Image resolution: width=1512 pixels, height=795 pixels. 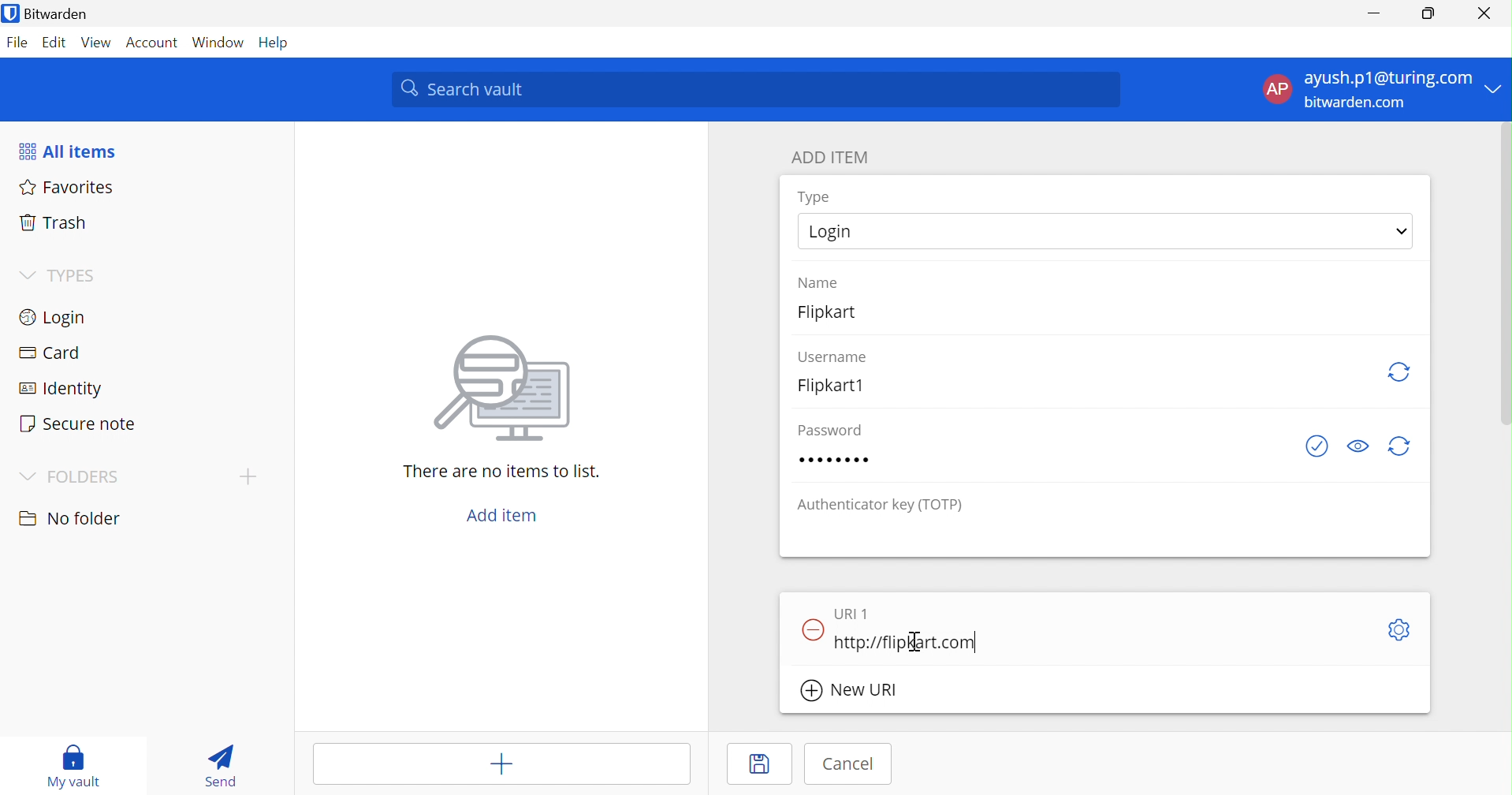 I want to click on image, so click(x=509, y=389).